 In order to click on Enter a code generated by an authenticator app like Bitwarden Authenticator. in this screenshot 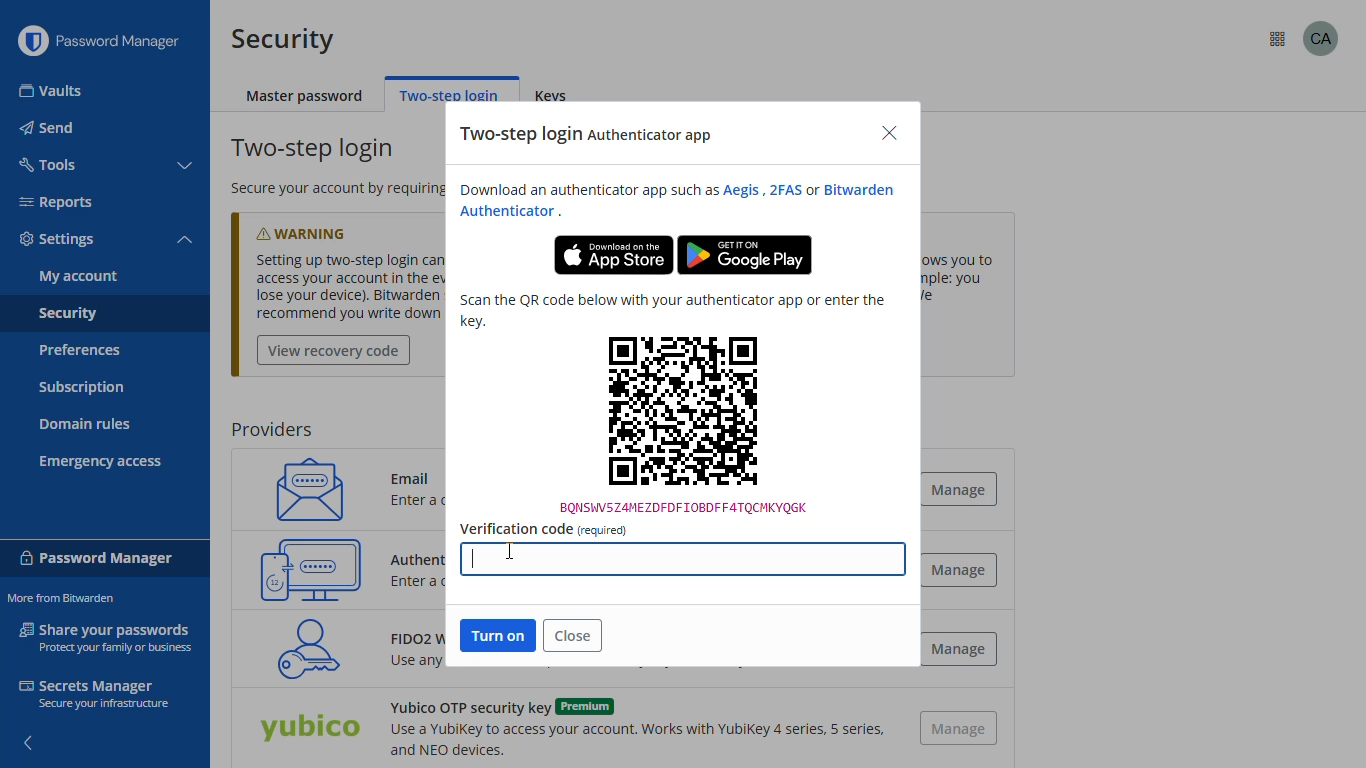, I will do `click(419, 585)`.